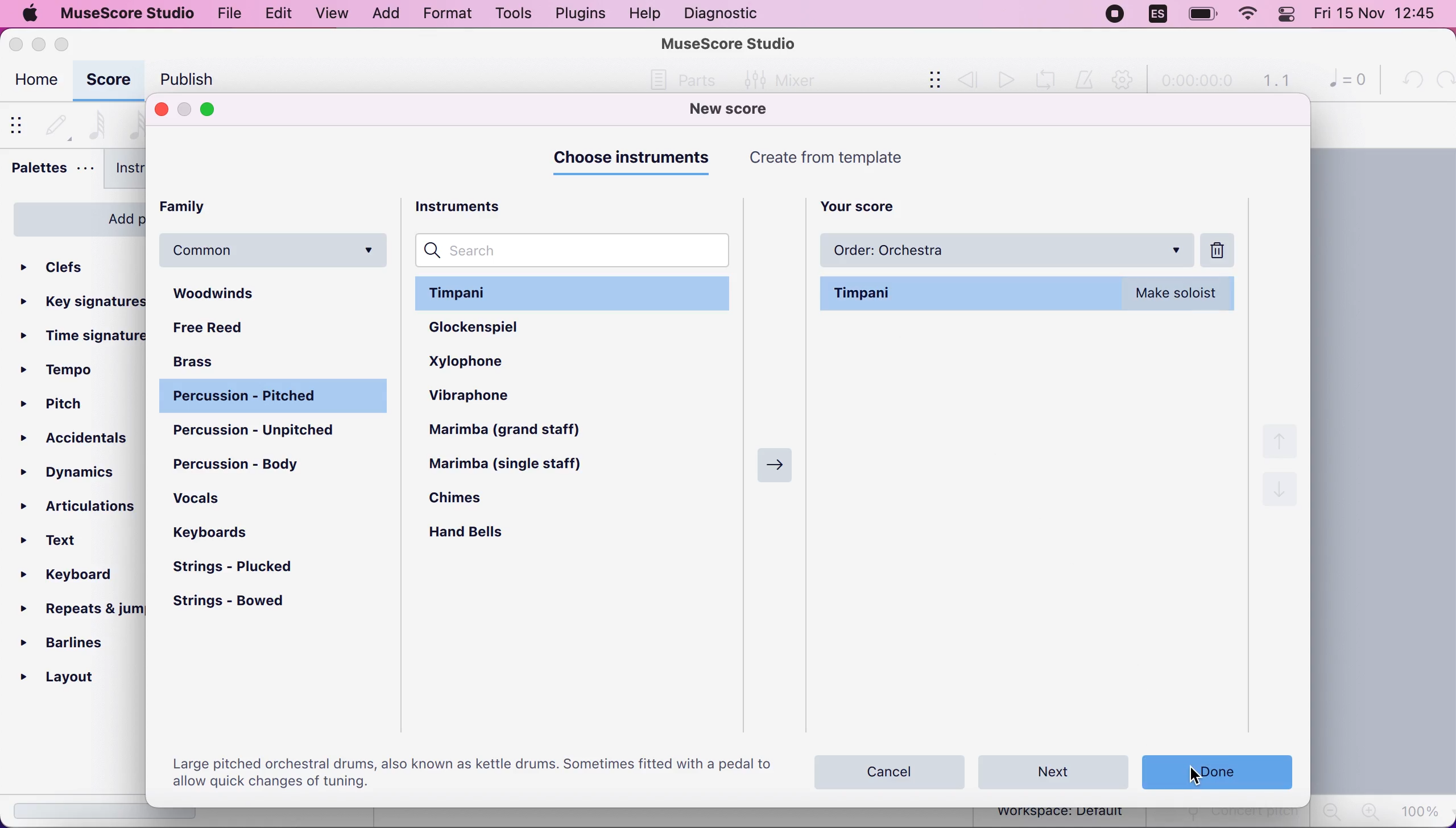 This screenshot has height=828, width=1456. Describe the element at coordinates (84, 299) in the screenshot. I see `key signatures` at that location.